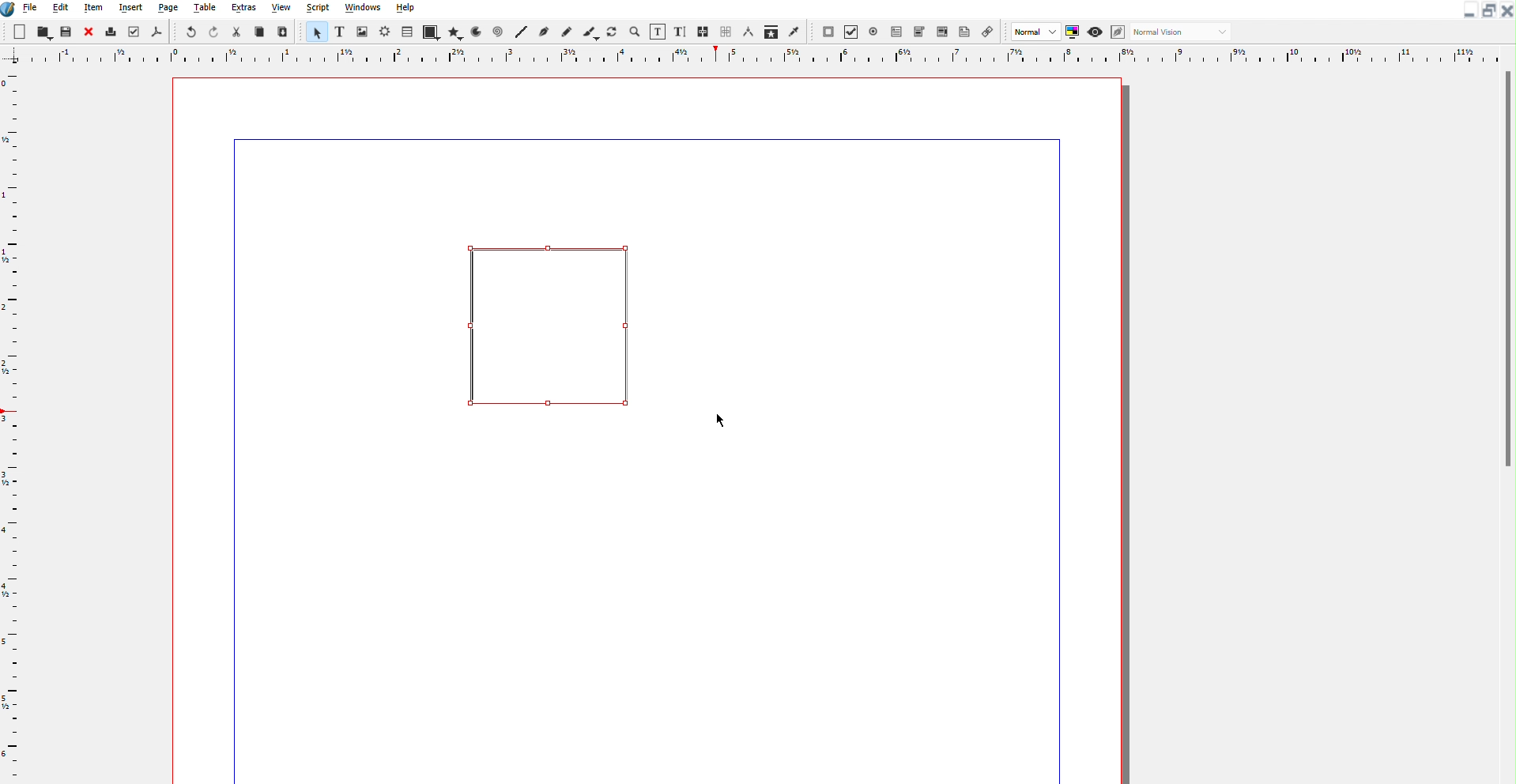  Describe the element at coordinates (454, 32) in the screenshot. I see `Polygons` at that location.